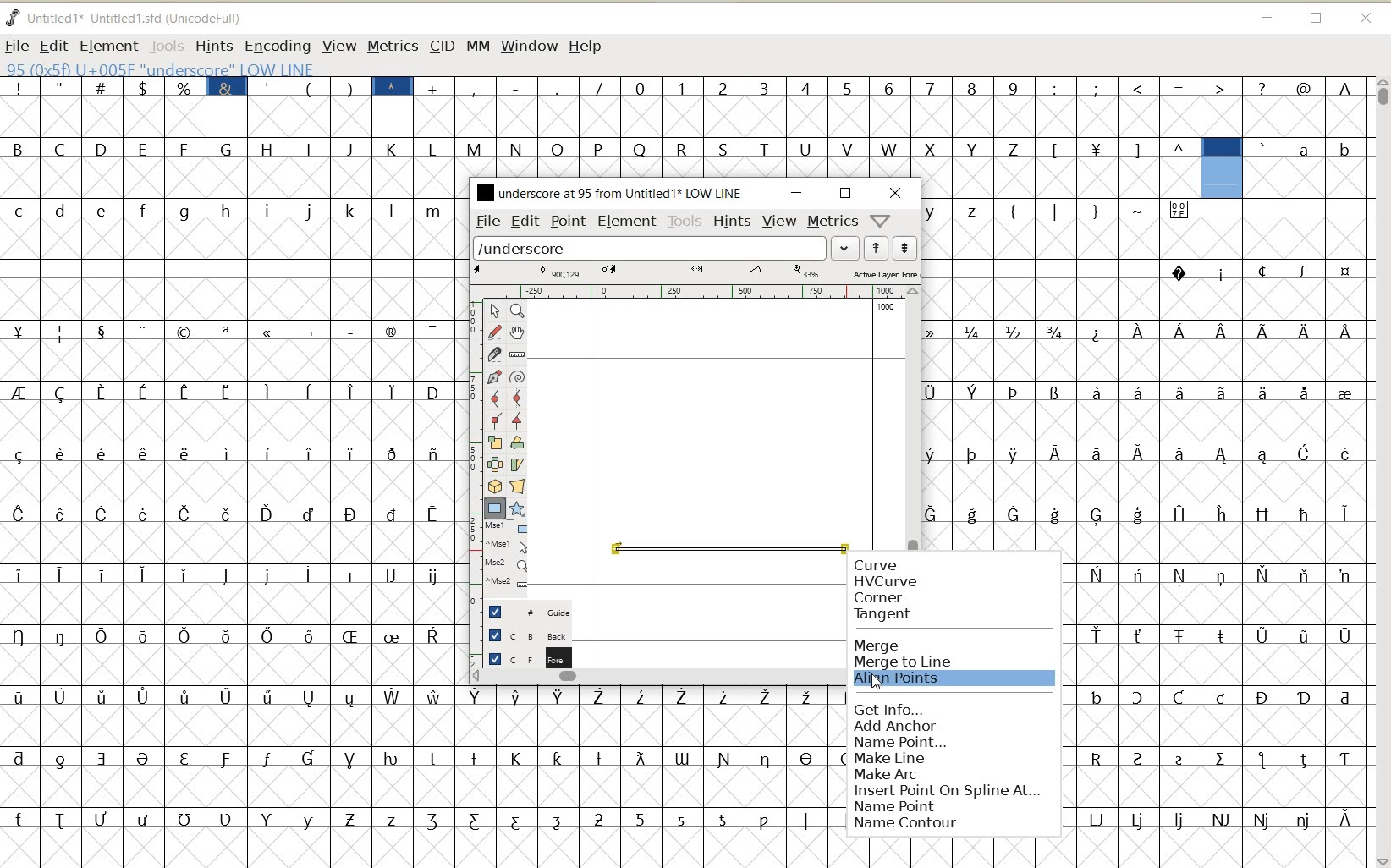  What do you see at coordinates (948, 724) in the screenshot?
I see `add anchor` at bounding box center [948, 724].